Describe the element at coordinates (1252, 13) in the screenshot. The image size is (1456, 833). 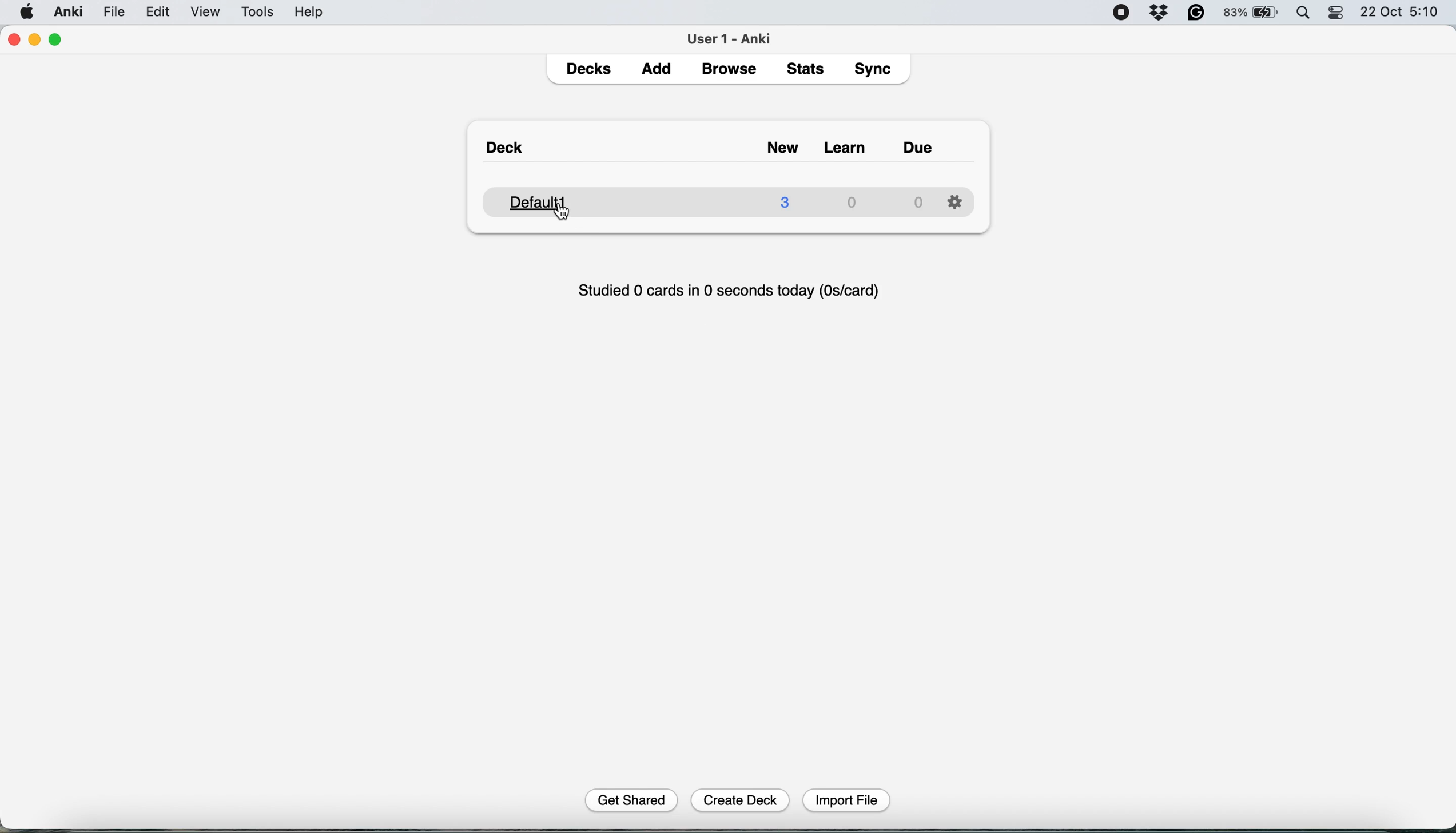
I see `battery` at that location.